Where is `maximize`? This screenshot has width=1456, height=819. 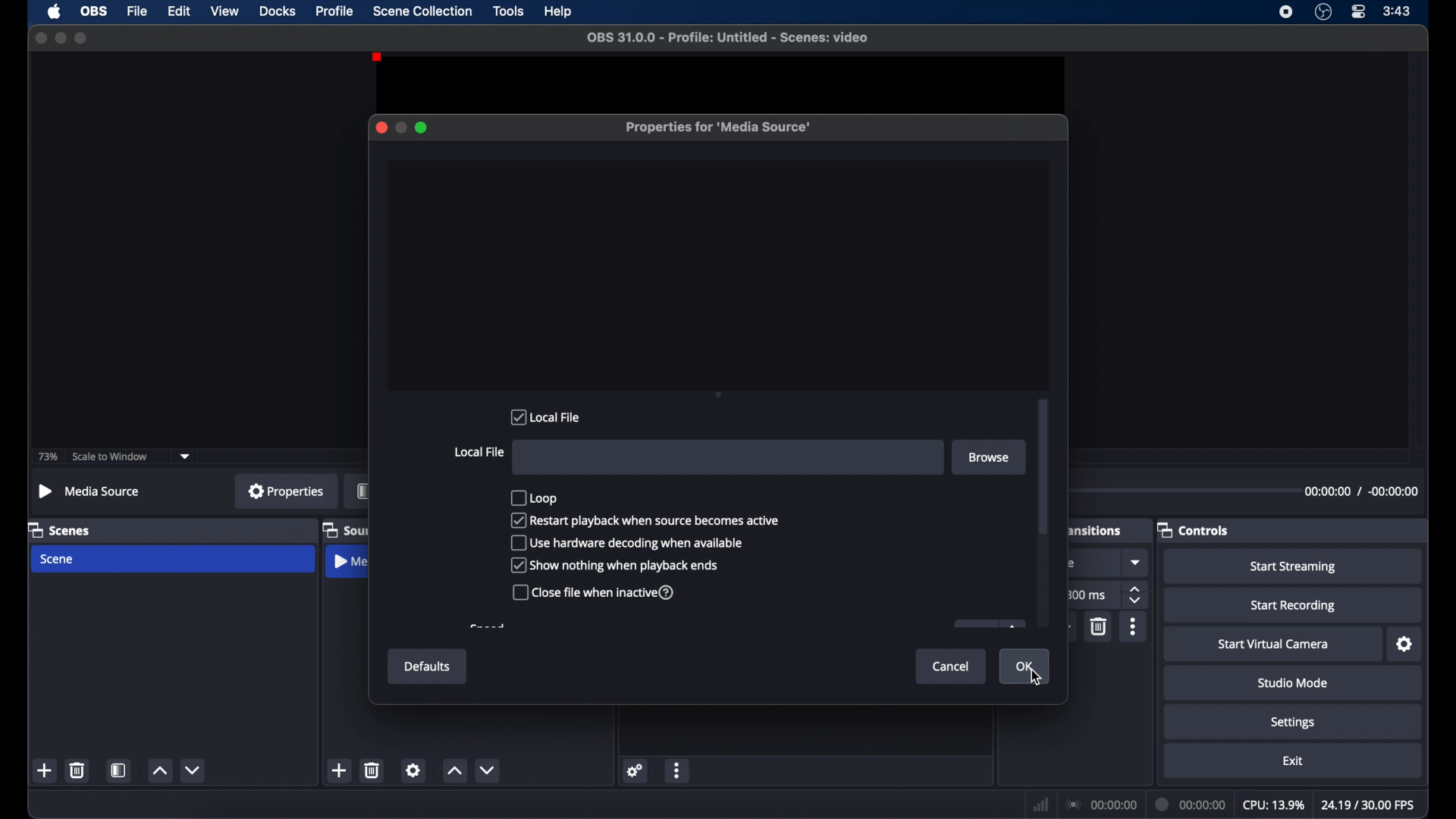
maximize is located at coordinates (83, 38).